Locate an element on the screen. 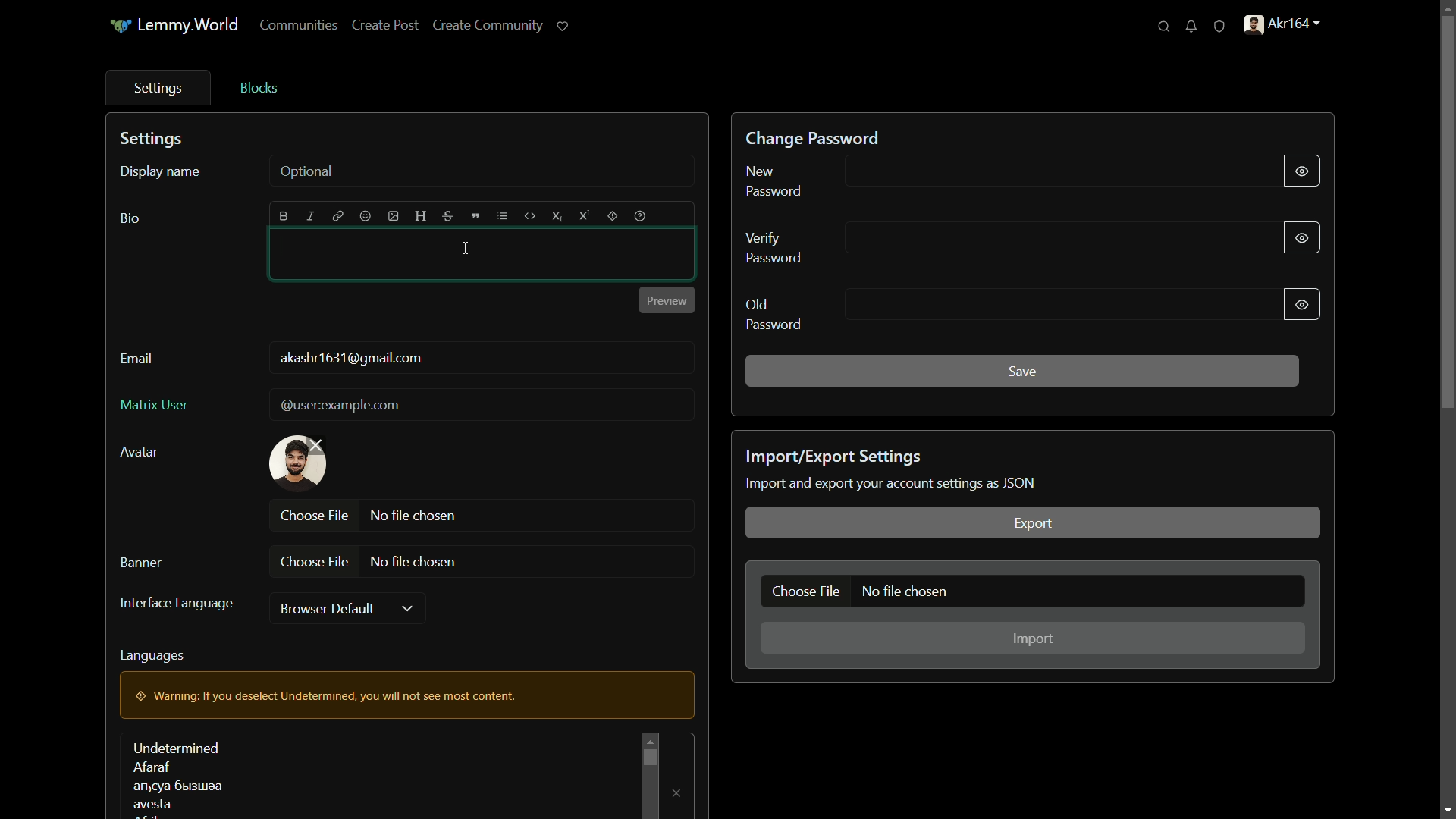 The height and width of the screenshot is (819, 1456). no file chosen is located at coordinates (905, 591).